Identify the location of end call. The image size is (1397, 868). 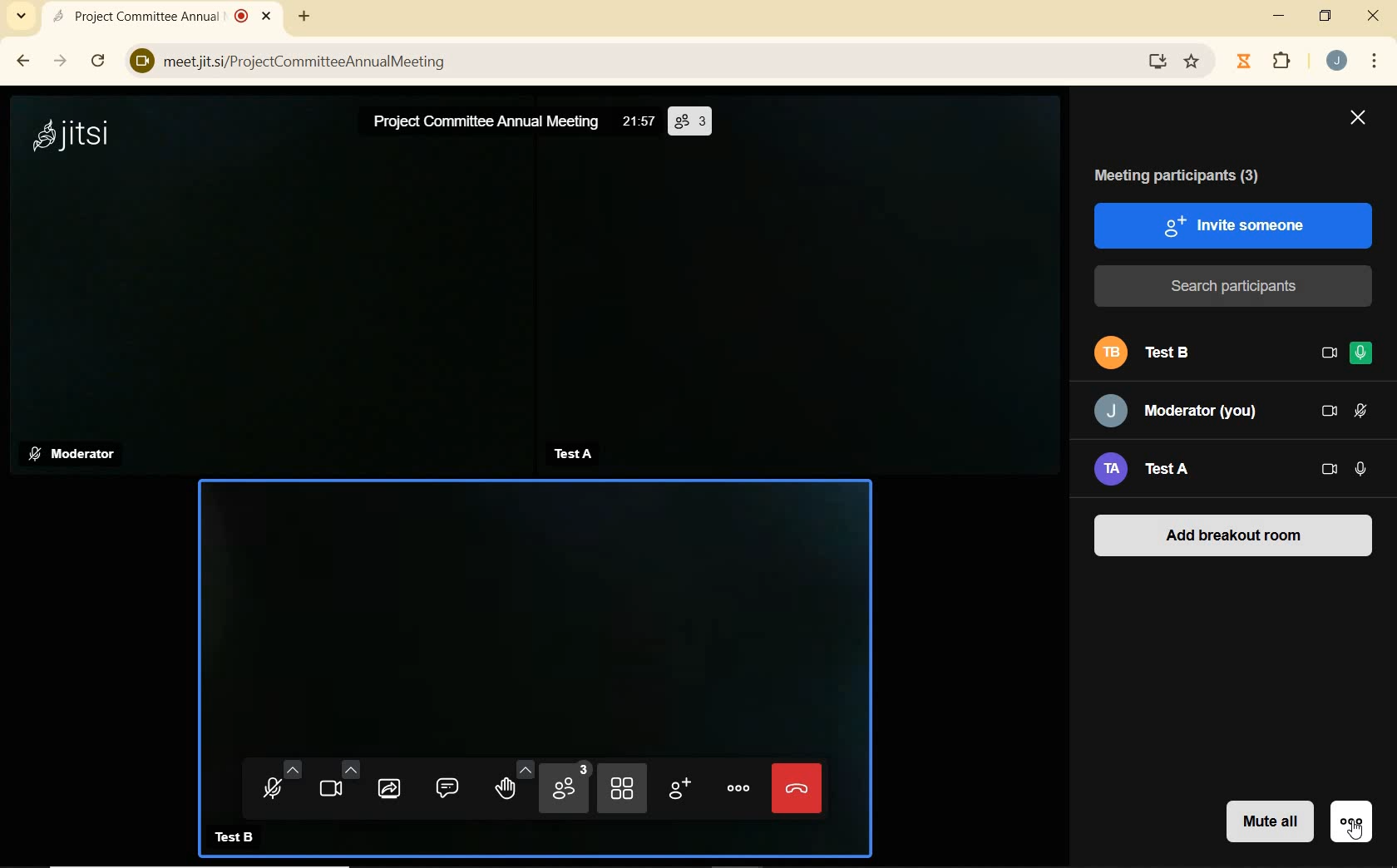
(797, 787).